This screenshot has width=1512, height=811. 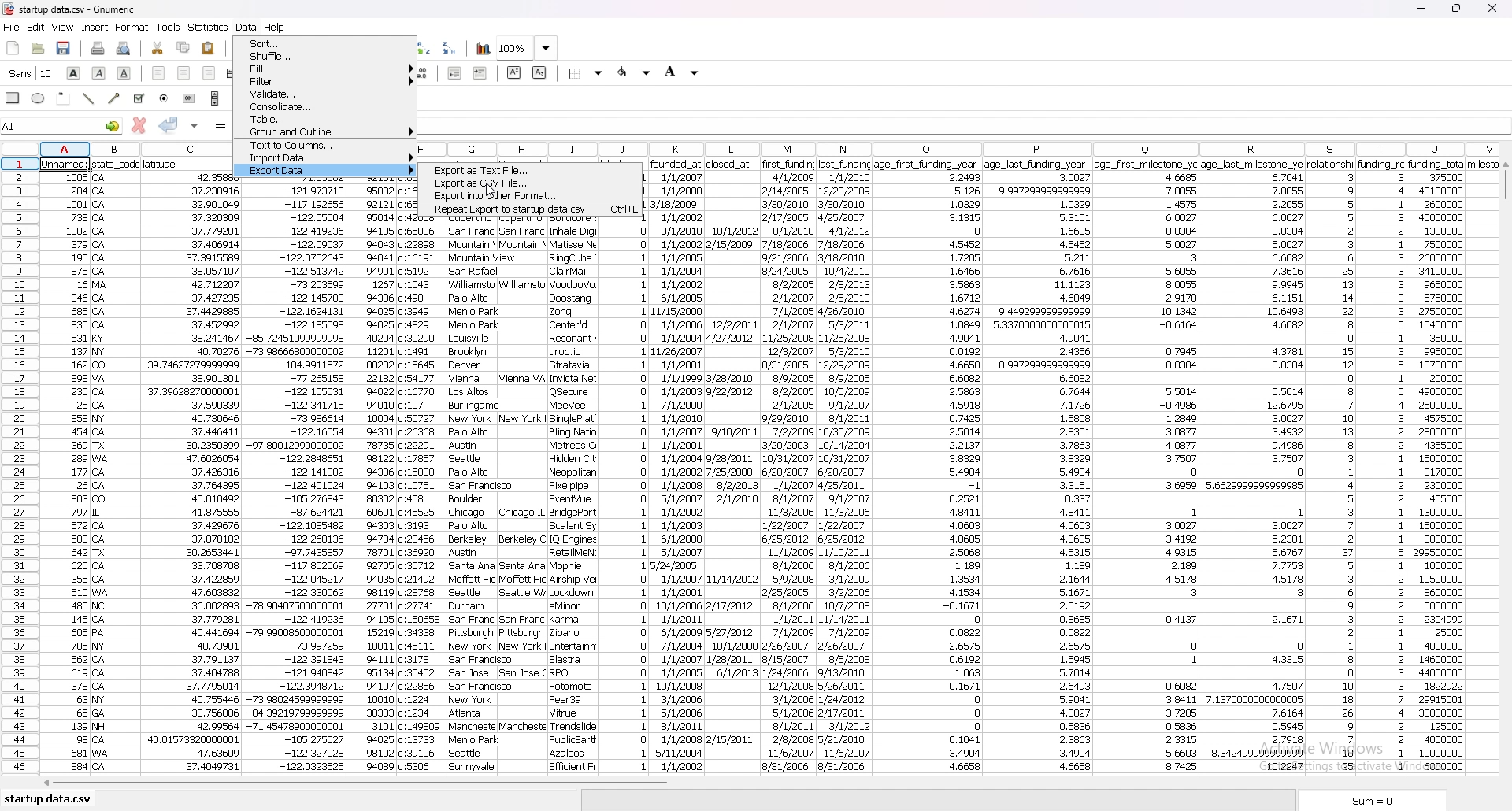 I want to click on sort ascending, so click(x=424, y=48).